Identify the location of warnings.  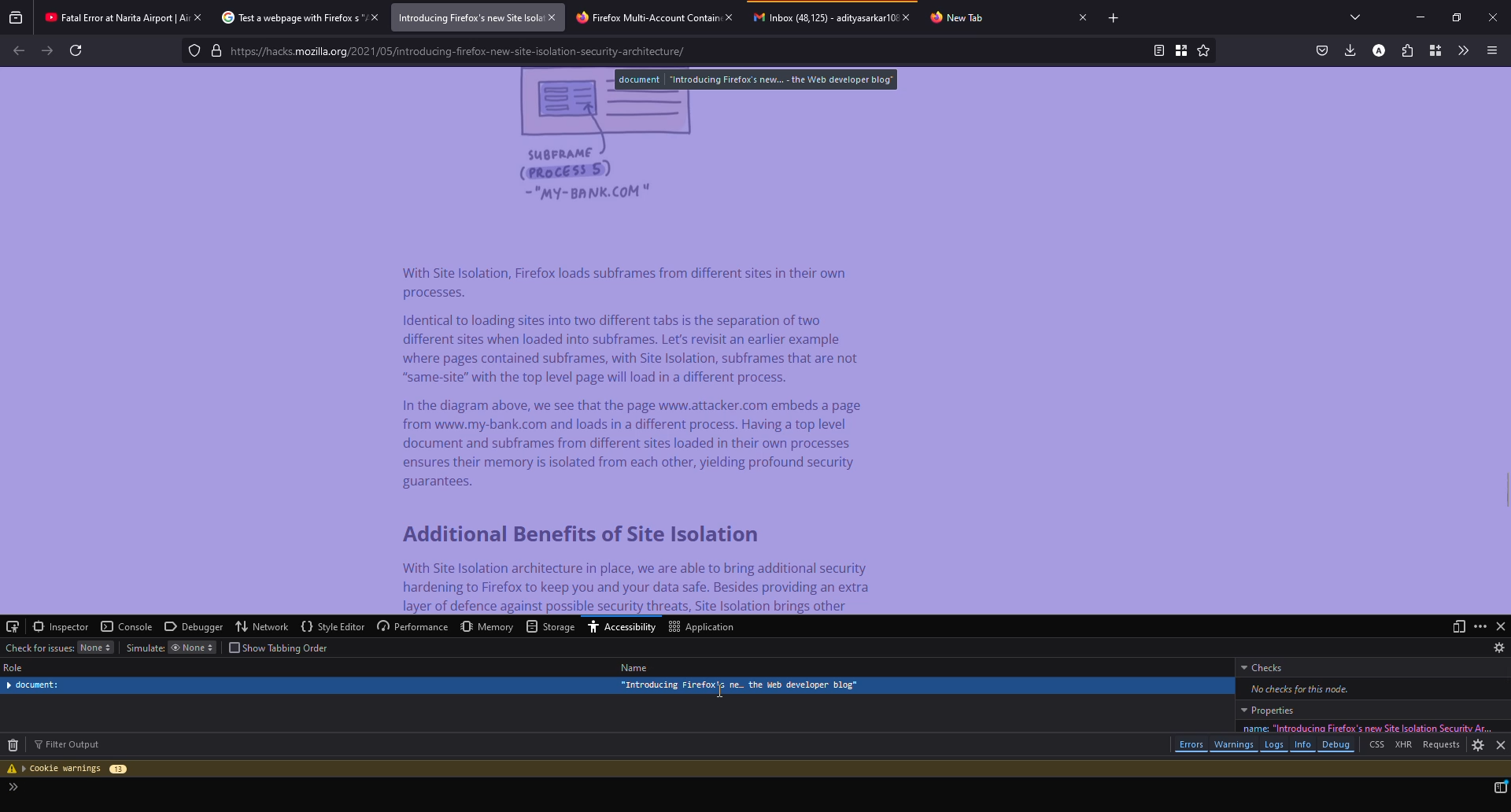
(1235, 745).